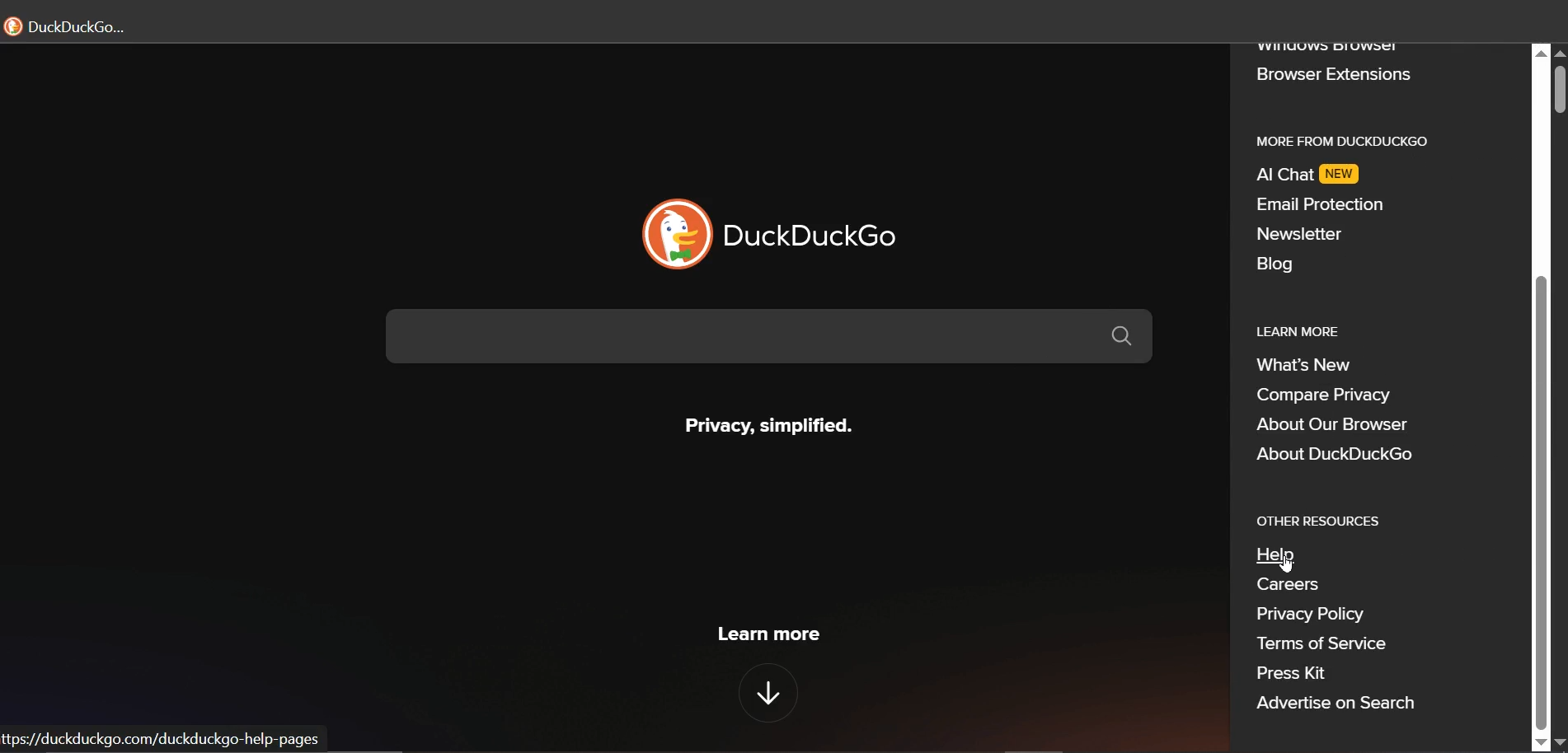 Image resolution: width=1568 pixels, height=753 pixels. What do you see at coordinates (777, 339) in the screenshot?
I see `search` at bounding box center [777, 339].